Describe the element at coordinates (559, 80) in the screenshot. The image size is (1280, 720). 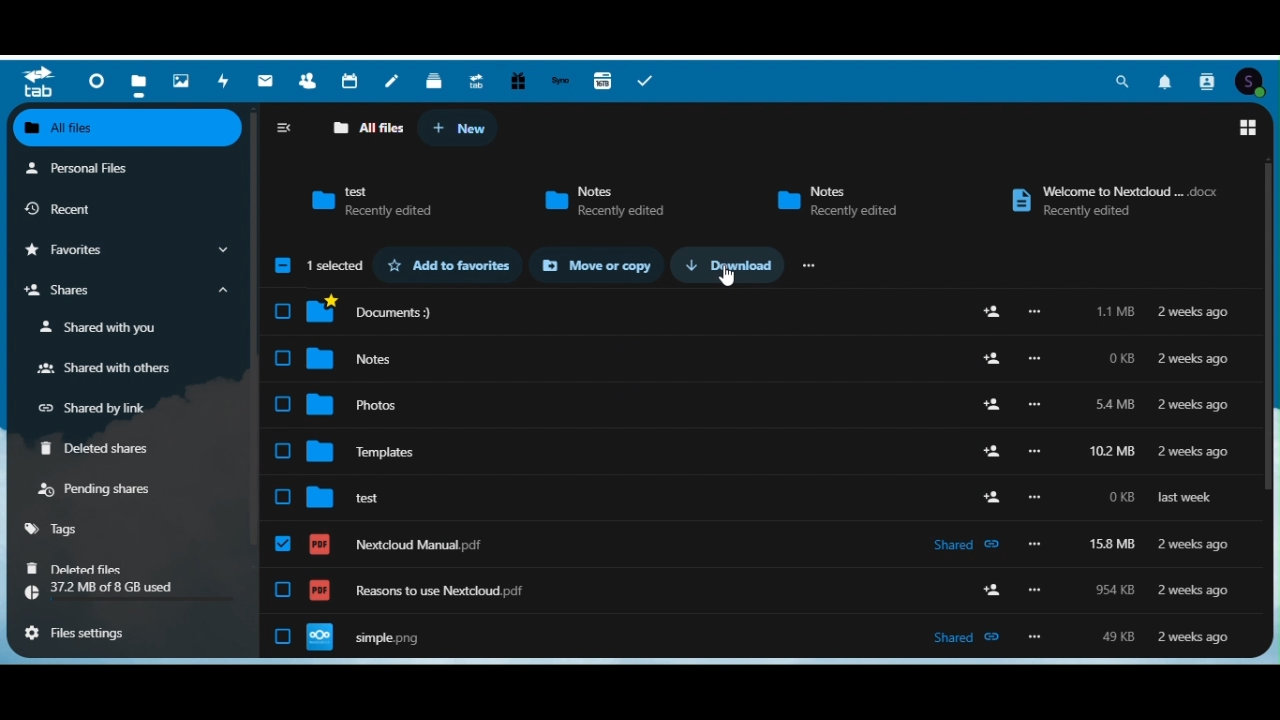
I see `Synology` at that location.